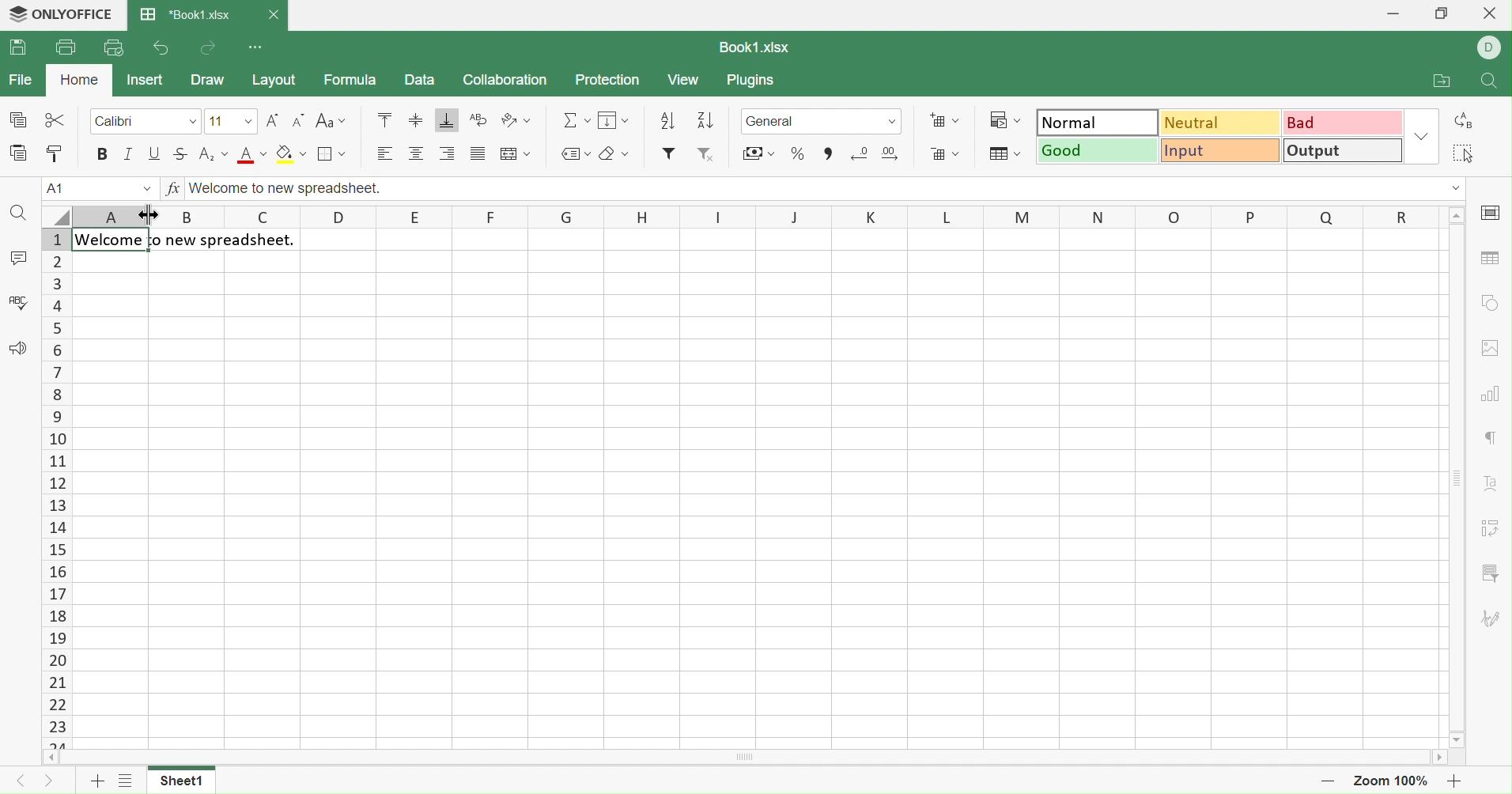 This screenshot has width=1512, height=794. Describe the element at coordinates (1465, 121) in the screenshot. I see `Replace` at that location.